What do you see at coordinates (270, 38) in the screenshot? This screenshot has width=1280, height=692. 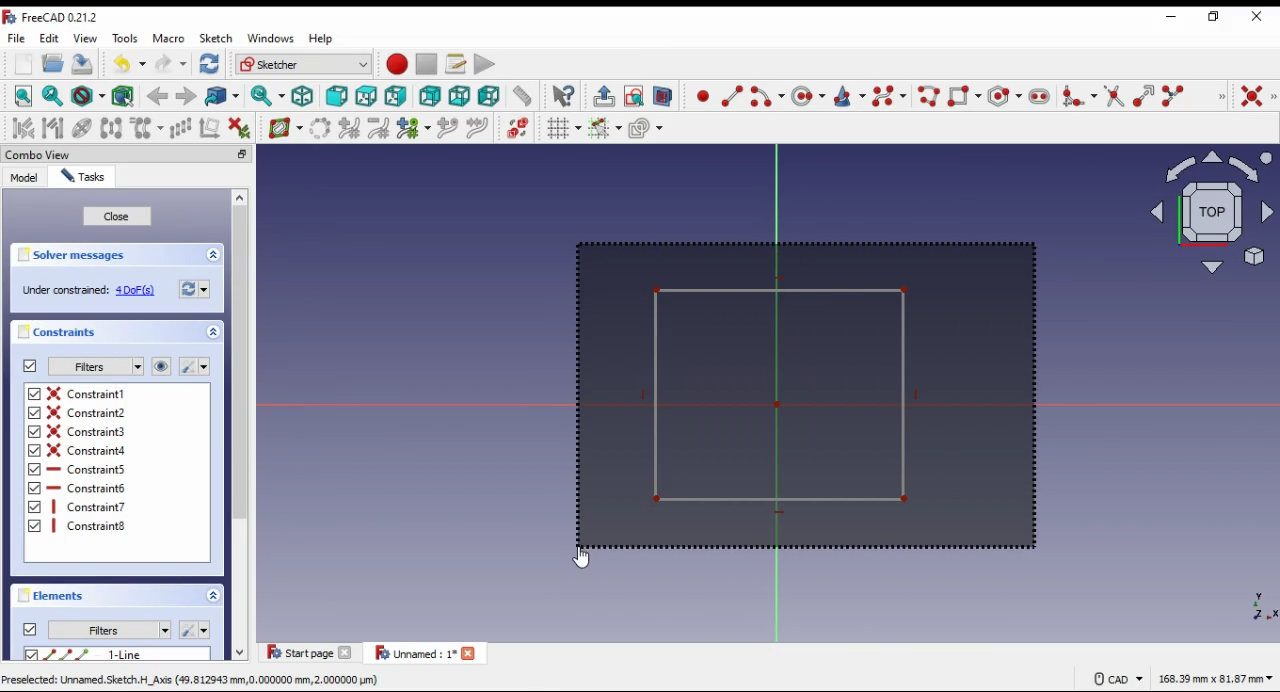 I see `windows` at bounding box center [270, 38].